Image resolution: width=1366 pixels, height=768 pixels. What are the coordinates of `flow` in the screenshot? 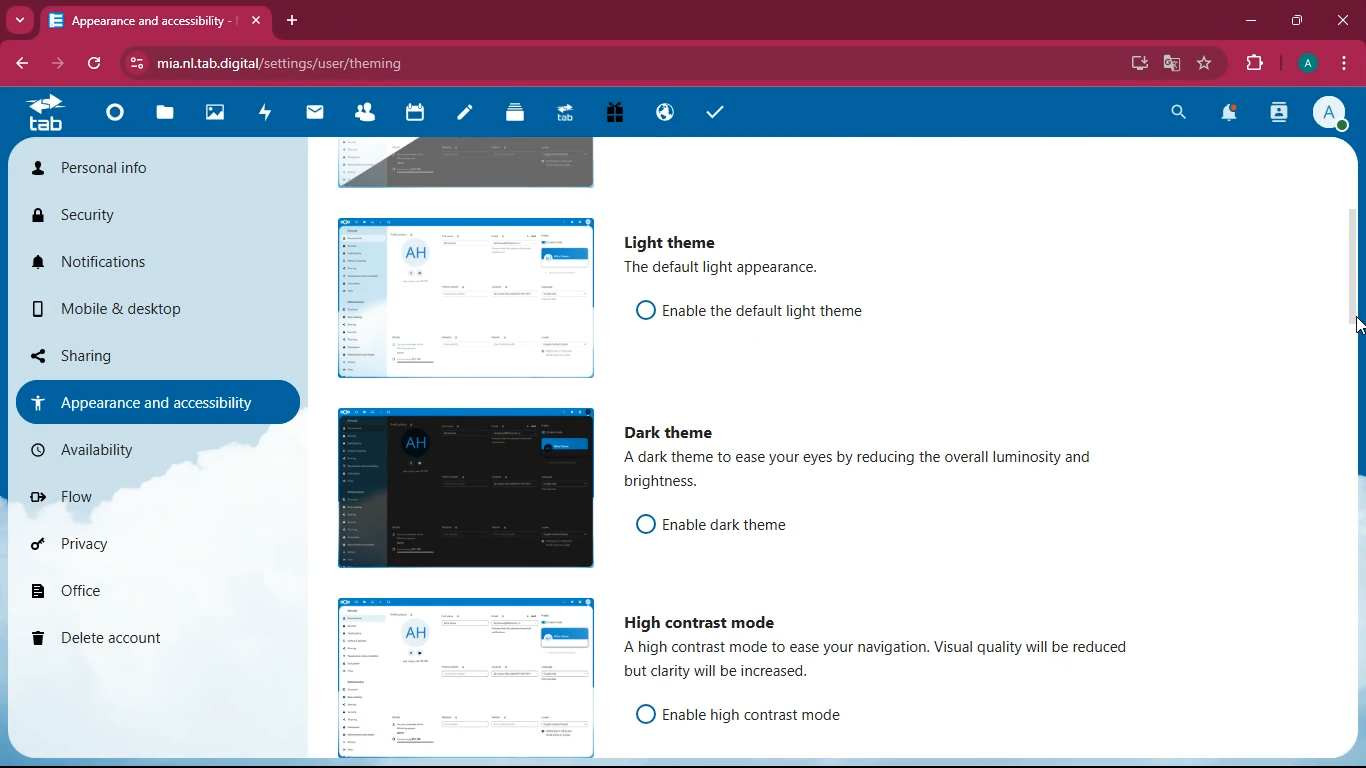 It's located at (120, 496).